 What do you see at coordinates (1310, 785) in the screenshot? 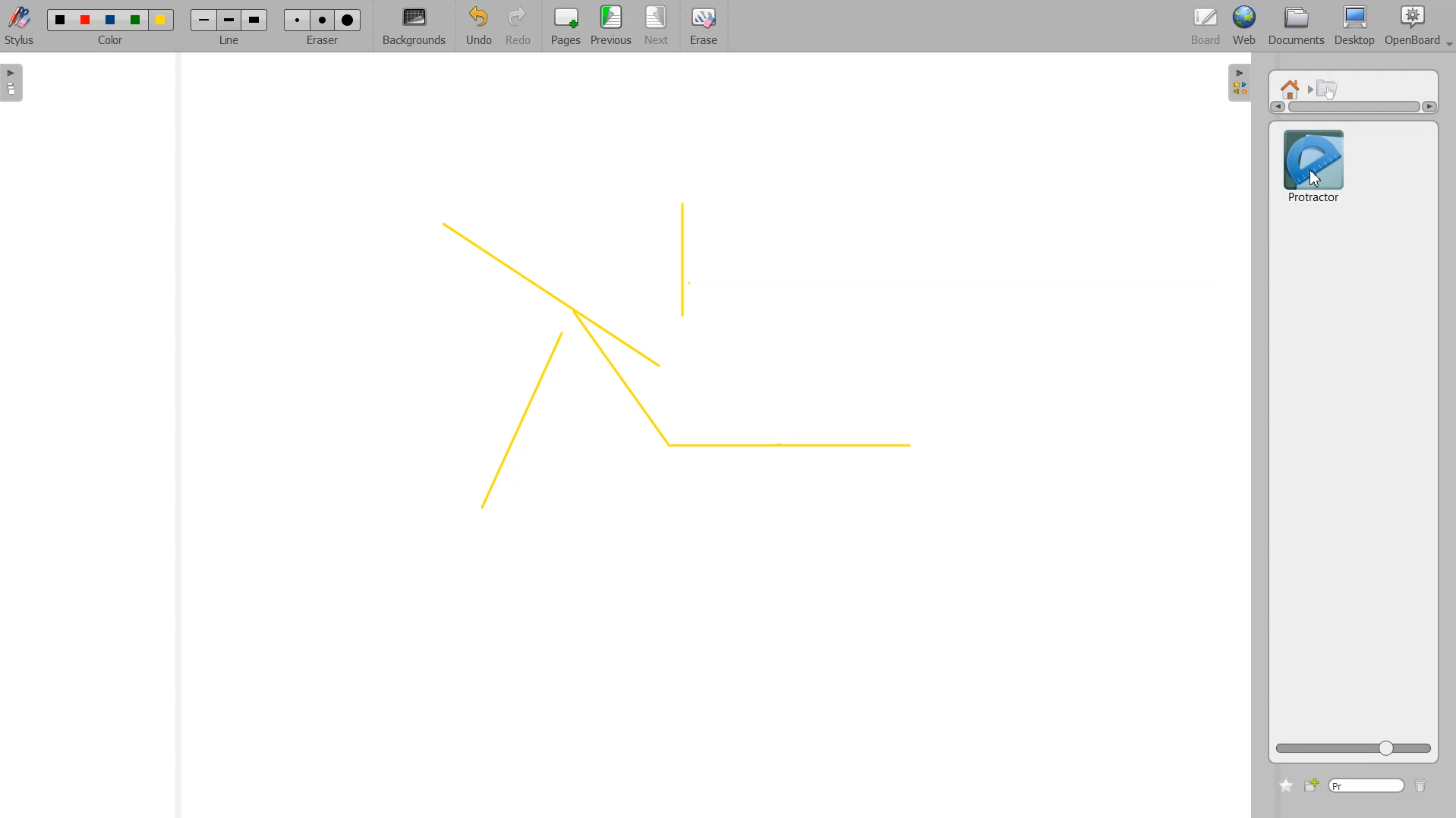
I see `Add new file` at bounding box center [1310, 785].